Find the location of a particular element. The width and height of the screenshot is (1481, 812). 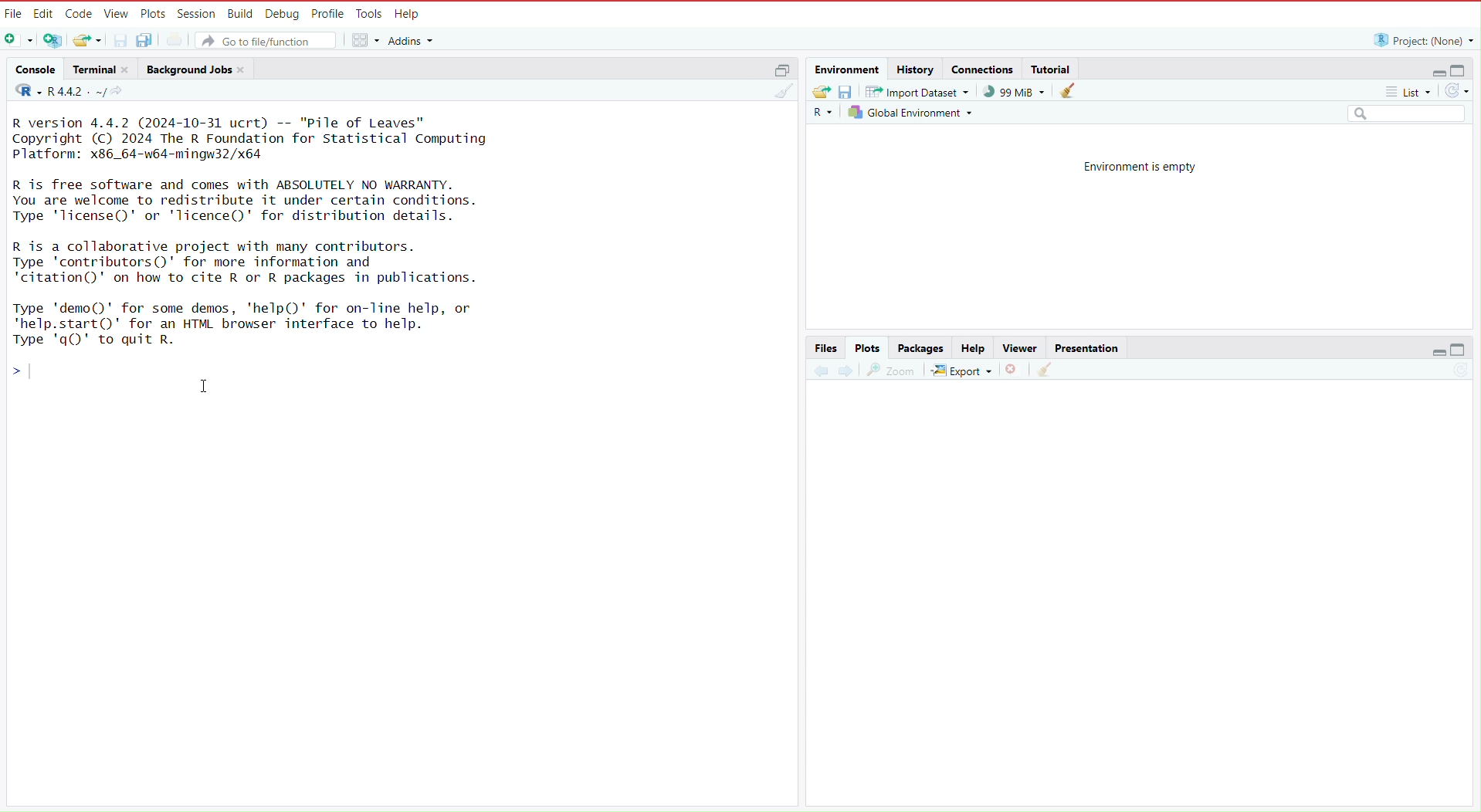

open an existing file is located at coordinates (88, 41).